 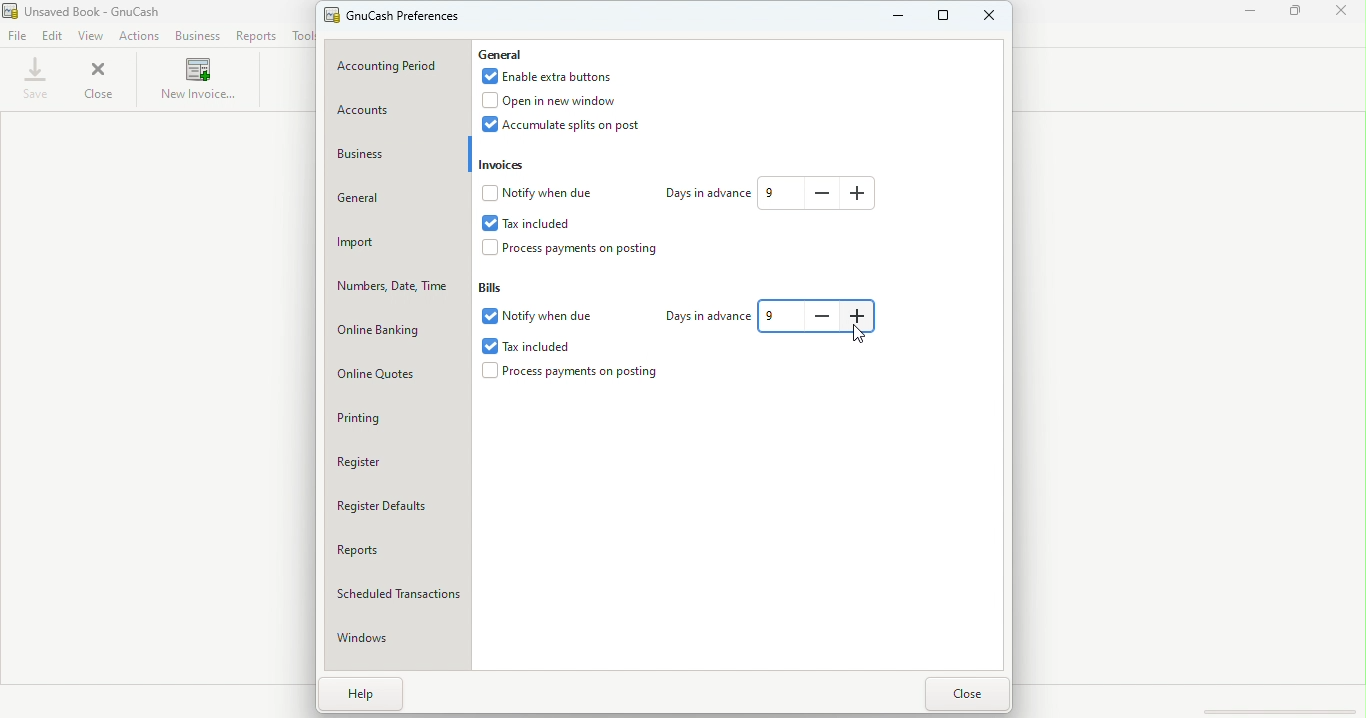 I want to click on Text box, so click(x=779, y=193).